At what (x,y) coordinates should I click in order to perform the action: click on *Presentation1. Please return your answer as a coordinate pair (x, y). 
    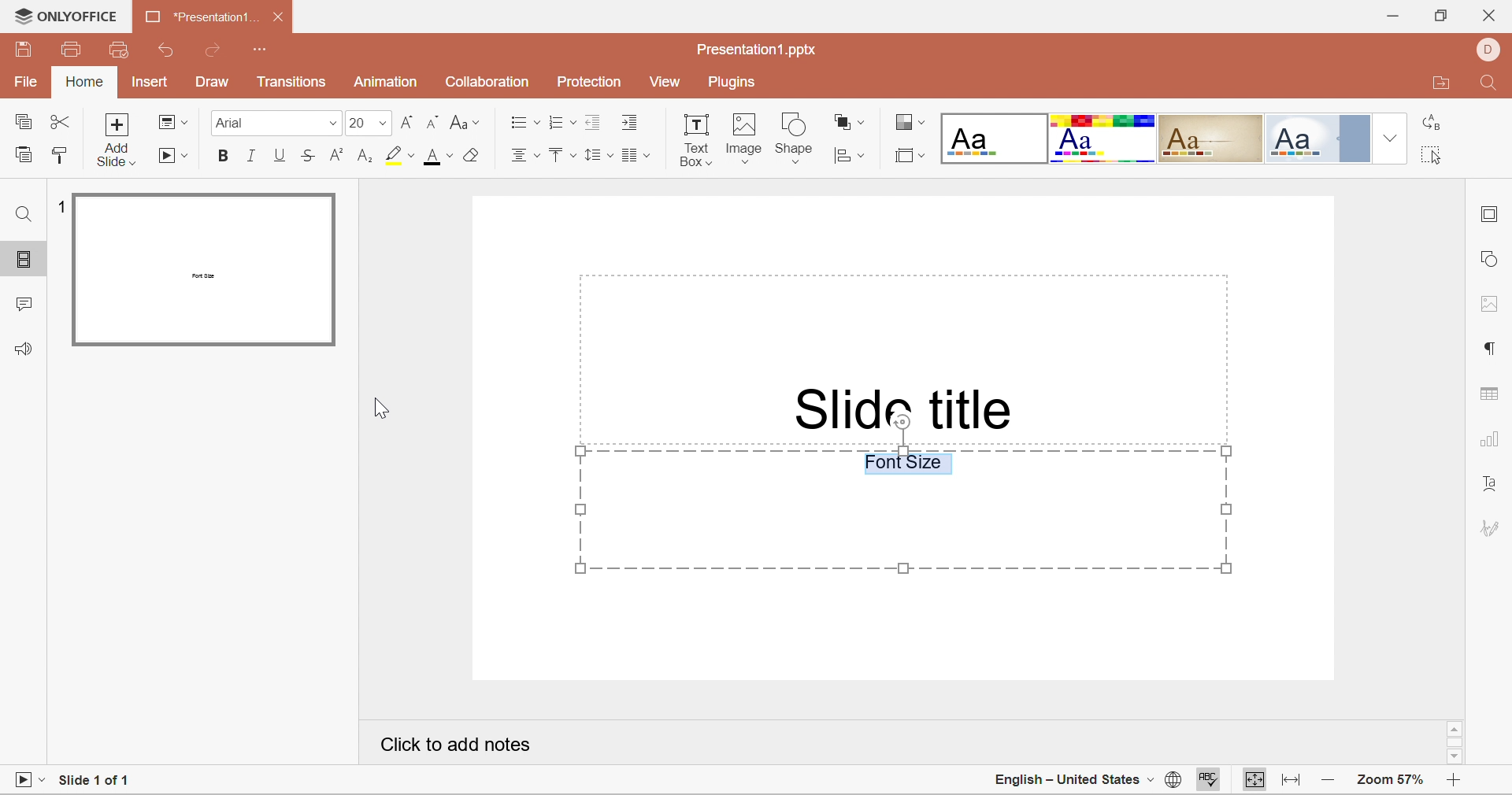
    Looking at the image, I should click on (195, 15).